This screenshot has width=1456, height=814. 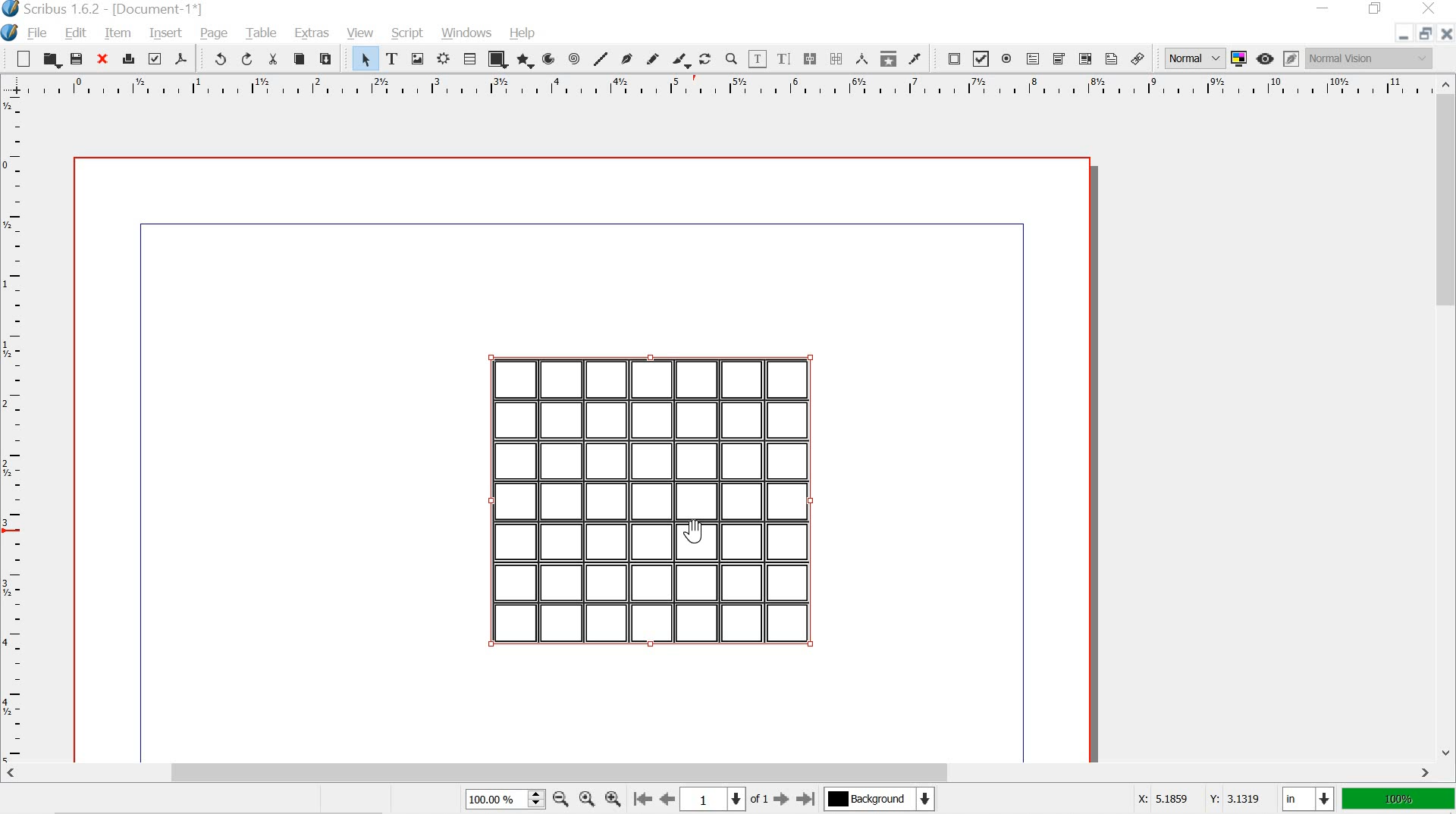 What do you see at coordinates (1446, 33) in the screenshot?
I see `close` at bounding box center [1446, 33].